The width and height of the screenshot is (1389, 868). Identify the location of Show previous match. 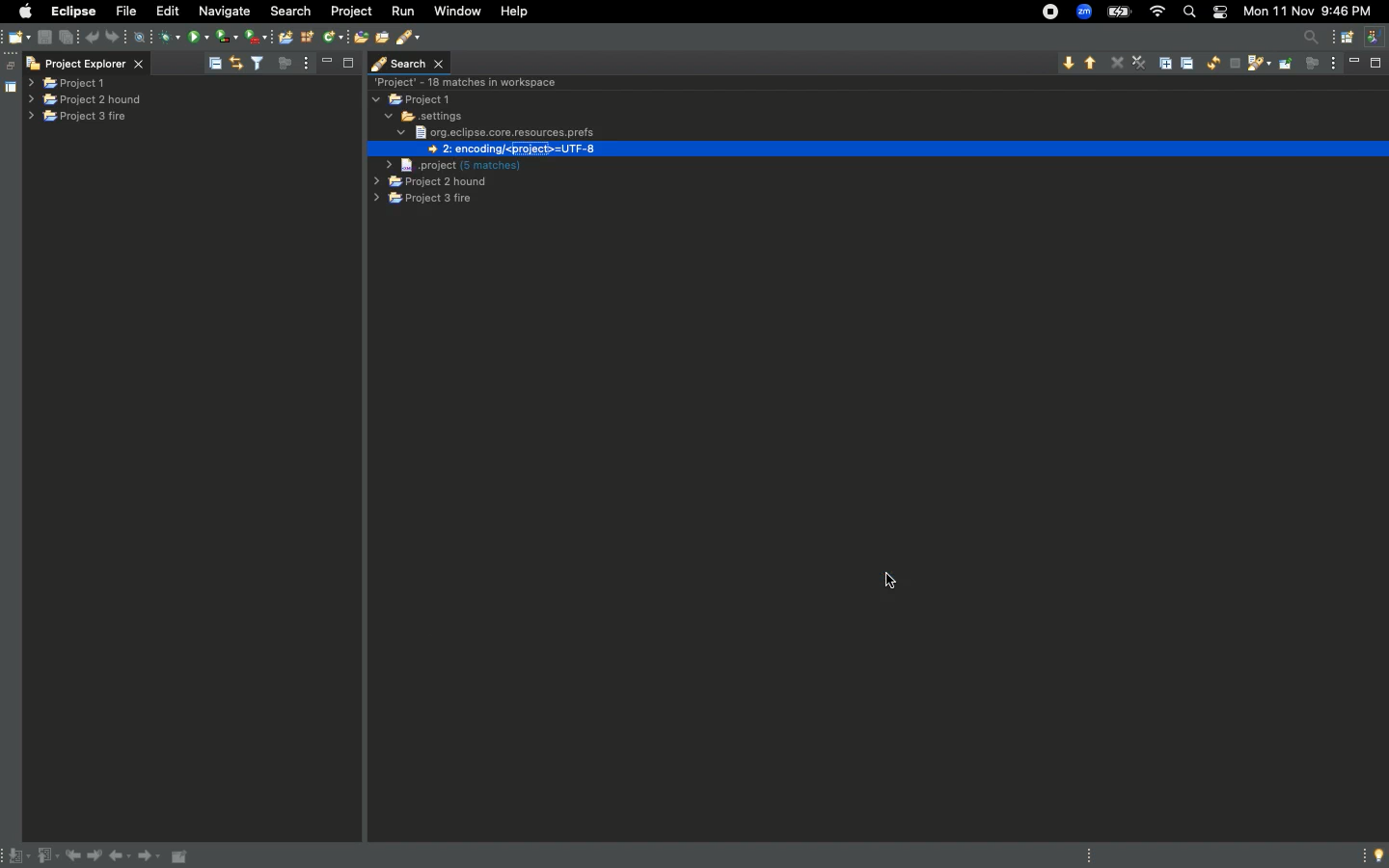
(1091, 65).